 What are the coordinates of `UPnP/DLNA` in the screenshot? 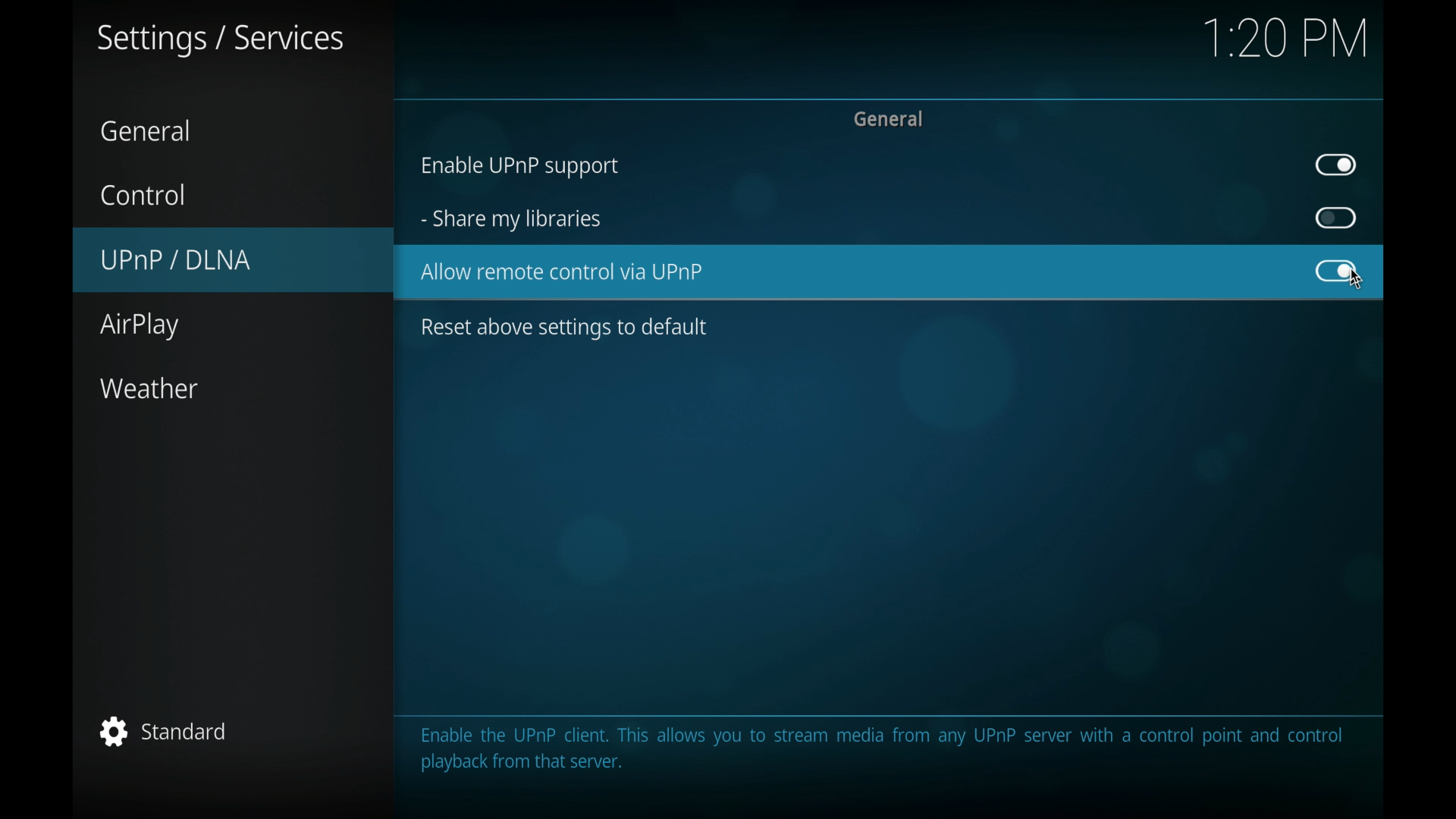 It's located at (233, 258).